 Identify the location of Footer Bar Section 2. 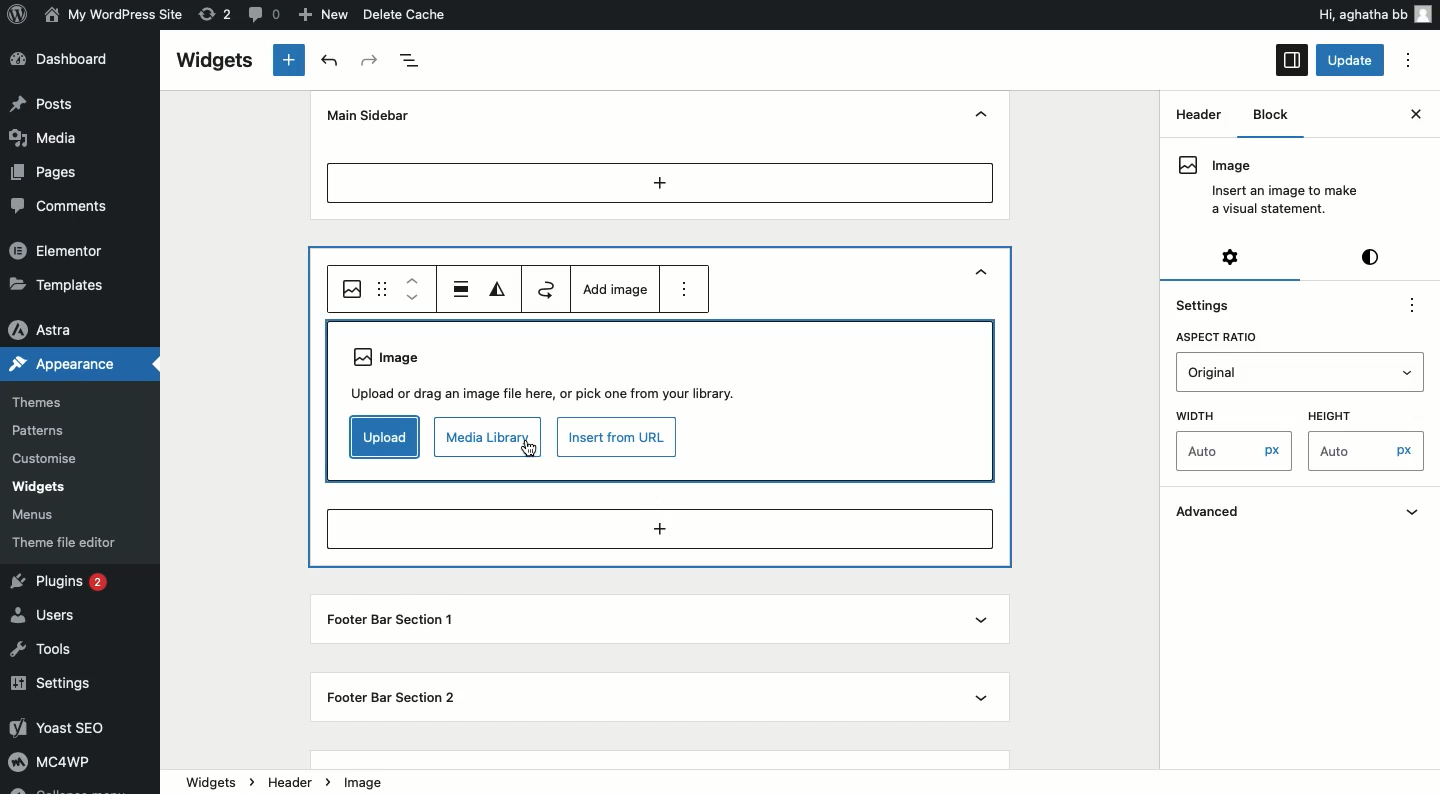
(400, 696).